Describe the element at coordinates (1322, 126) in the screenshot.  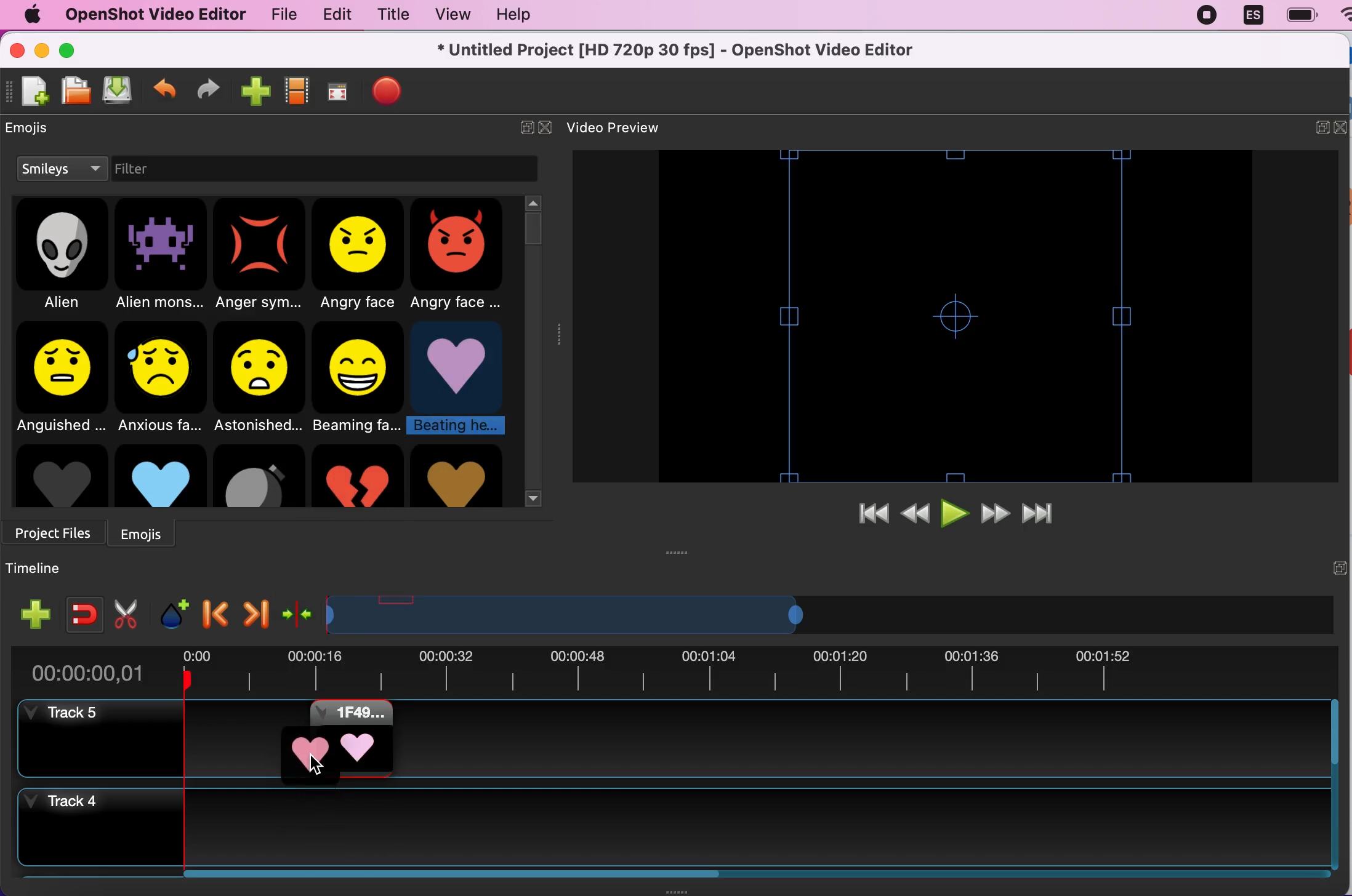
I see `expand/hide` at that location.